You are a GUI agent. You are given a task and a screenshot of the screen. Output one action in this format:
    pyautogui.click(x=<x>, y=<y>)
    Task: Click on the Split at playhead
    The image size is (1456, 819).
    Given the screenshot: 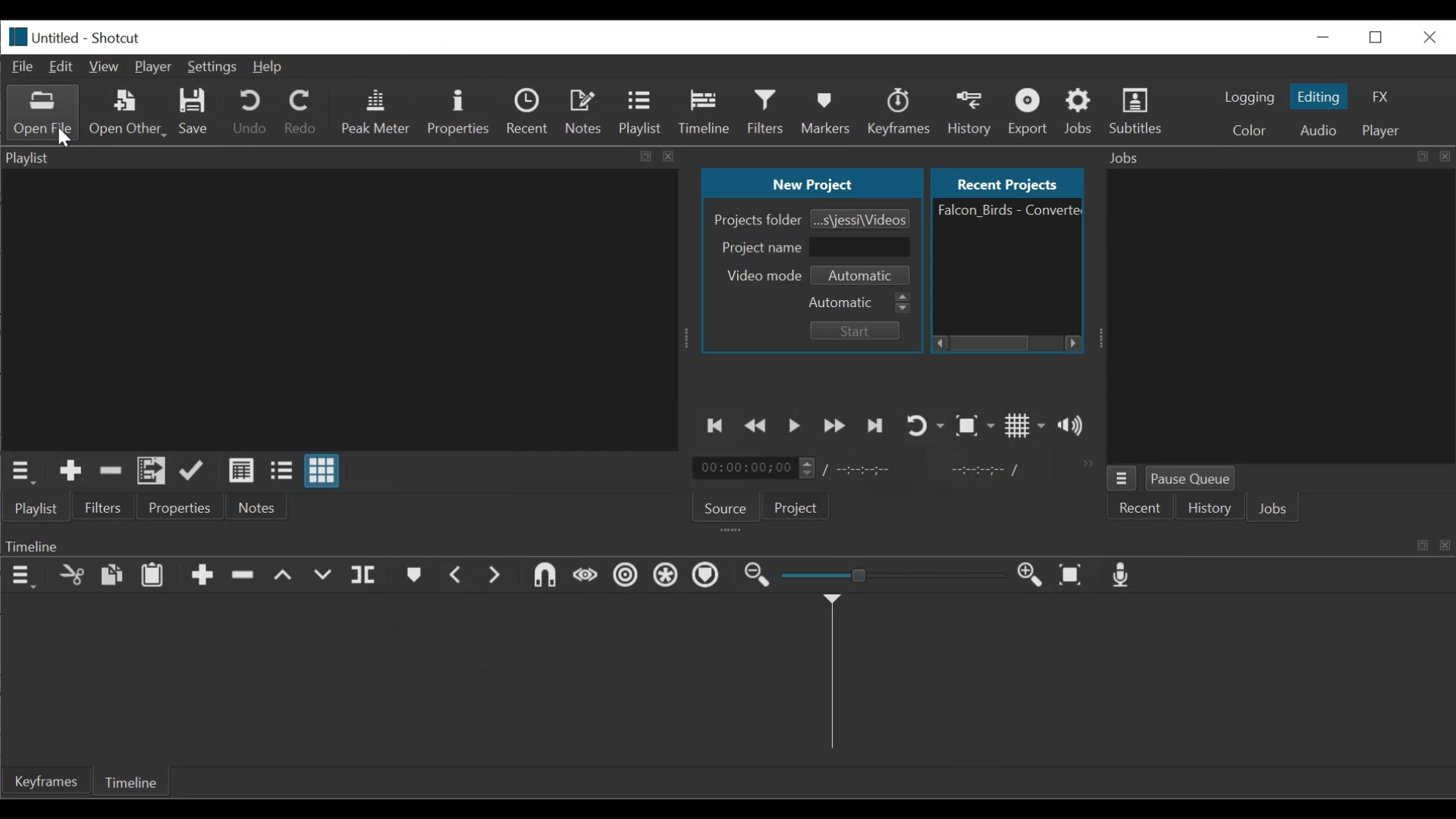 What is the action you would take?
    pyautogui.click(x=366, y=576)
    